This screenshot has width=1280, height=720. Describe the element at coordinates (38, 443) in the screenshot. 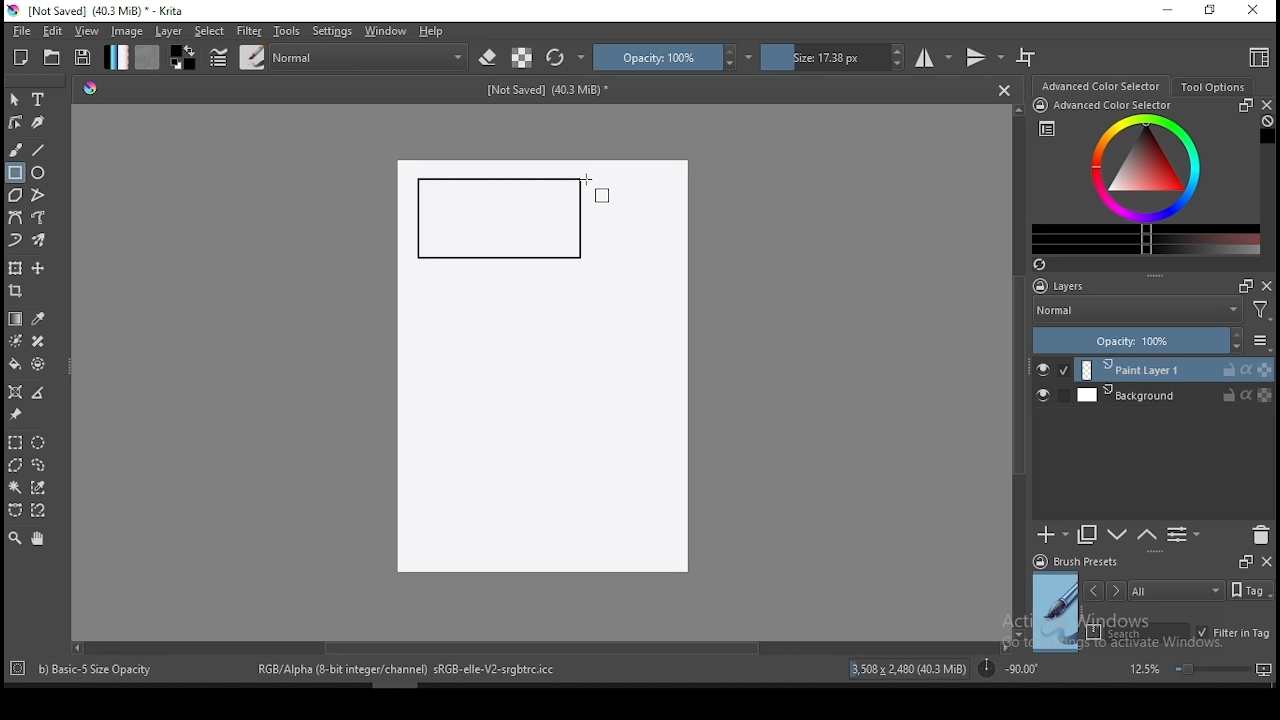

I see `elliptical selection tool` at that location.